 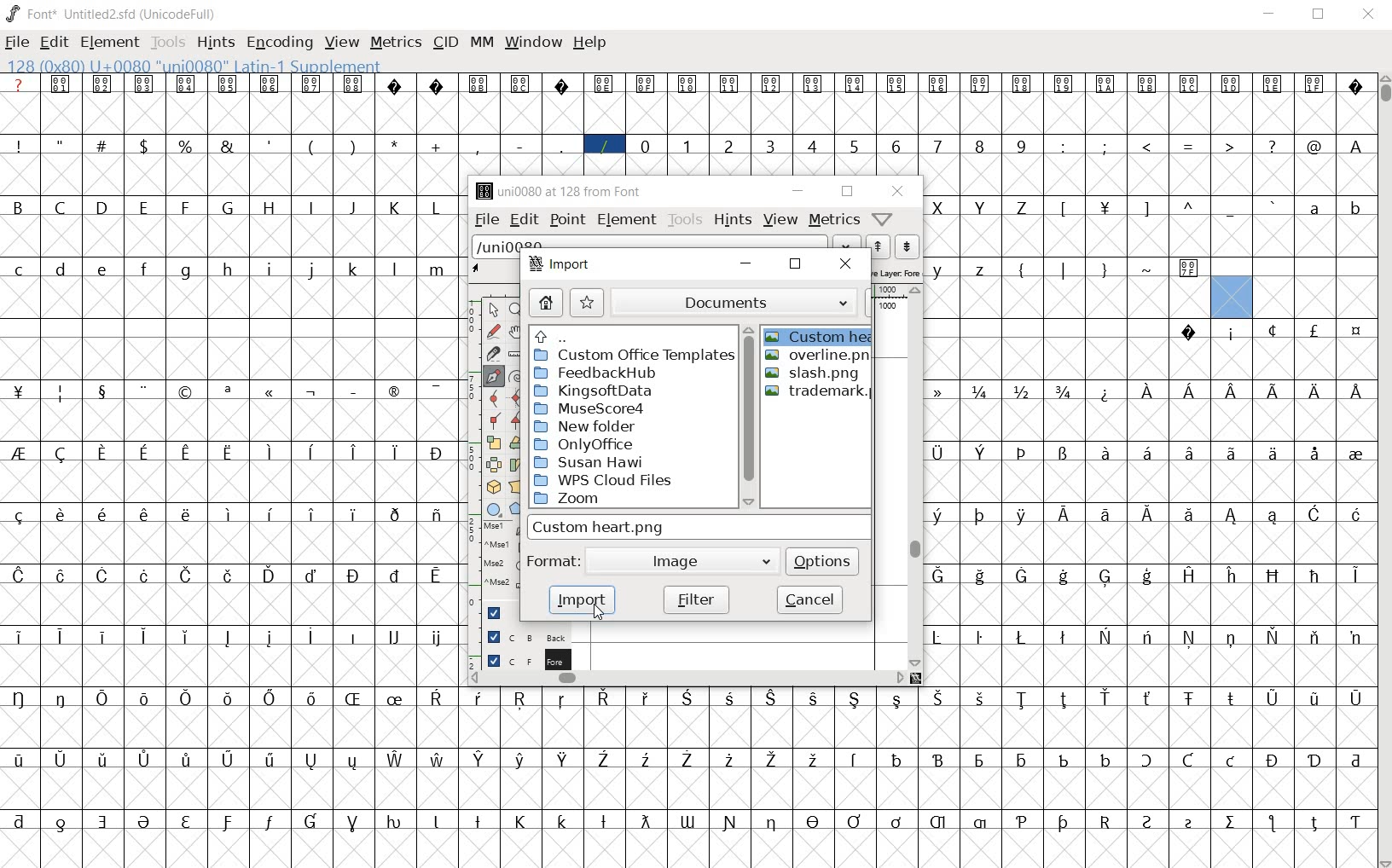 What do you see at coordinates (582, 600) in the screenshot?
I see `import` at bounding box center [582, 600].